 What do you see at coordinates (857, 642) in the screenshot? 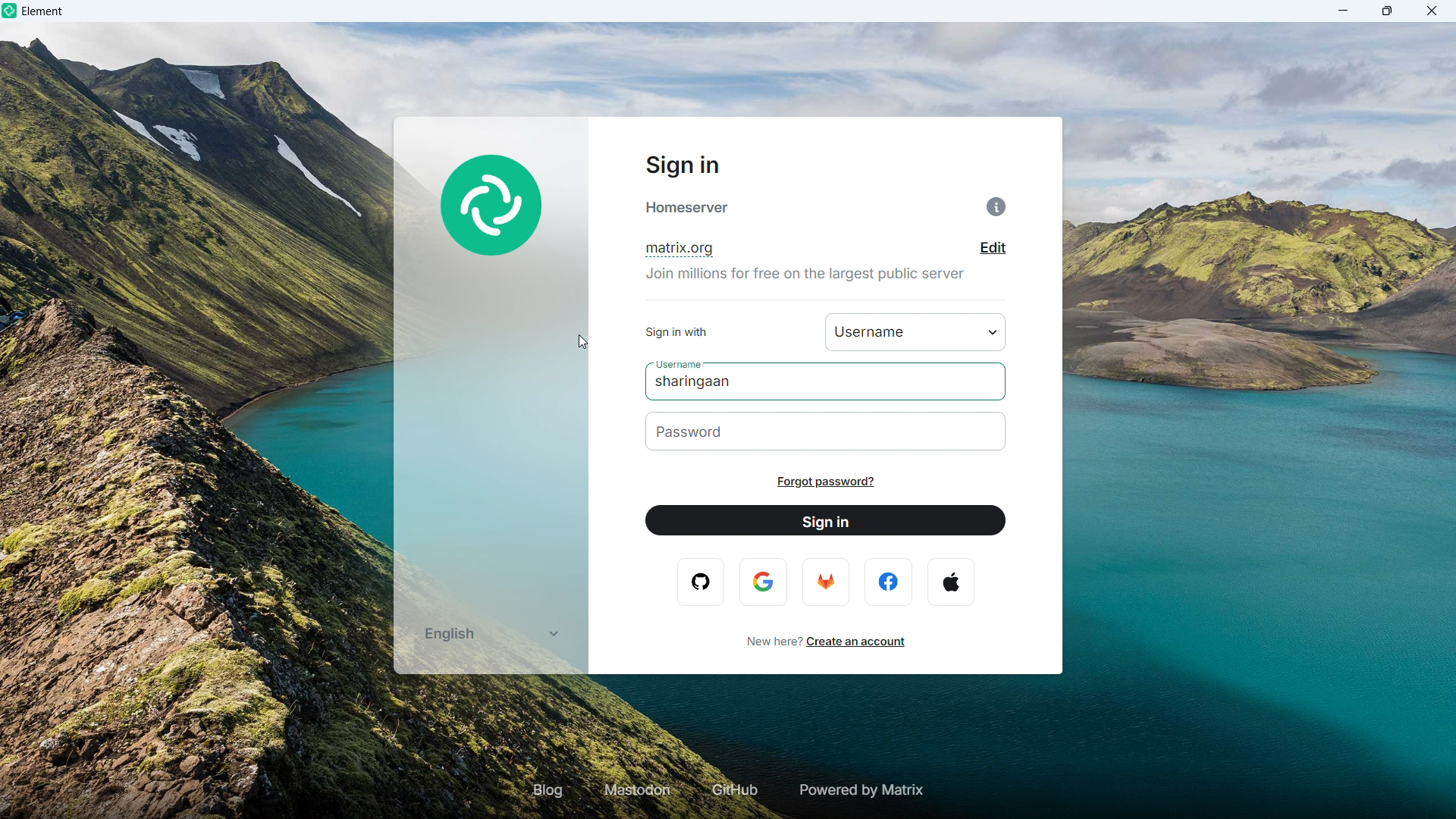
I see `Create an account ` at bounding box center [857, 642].